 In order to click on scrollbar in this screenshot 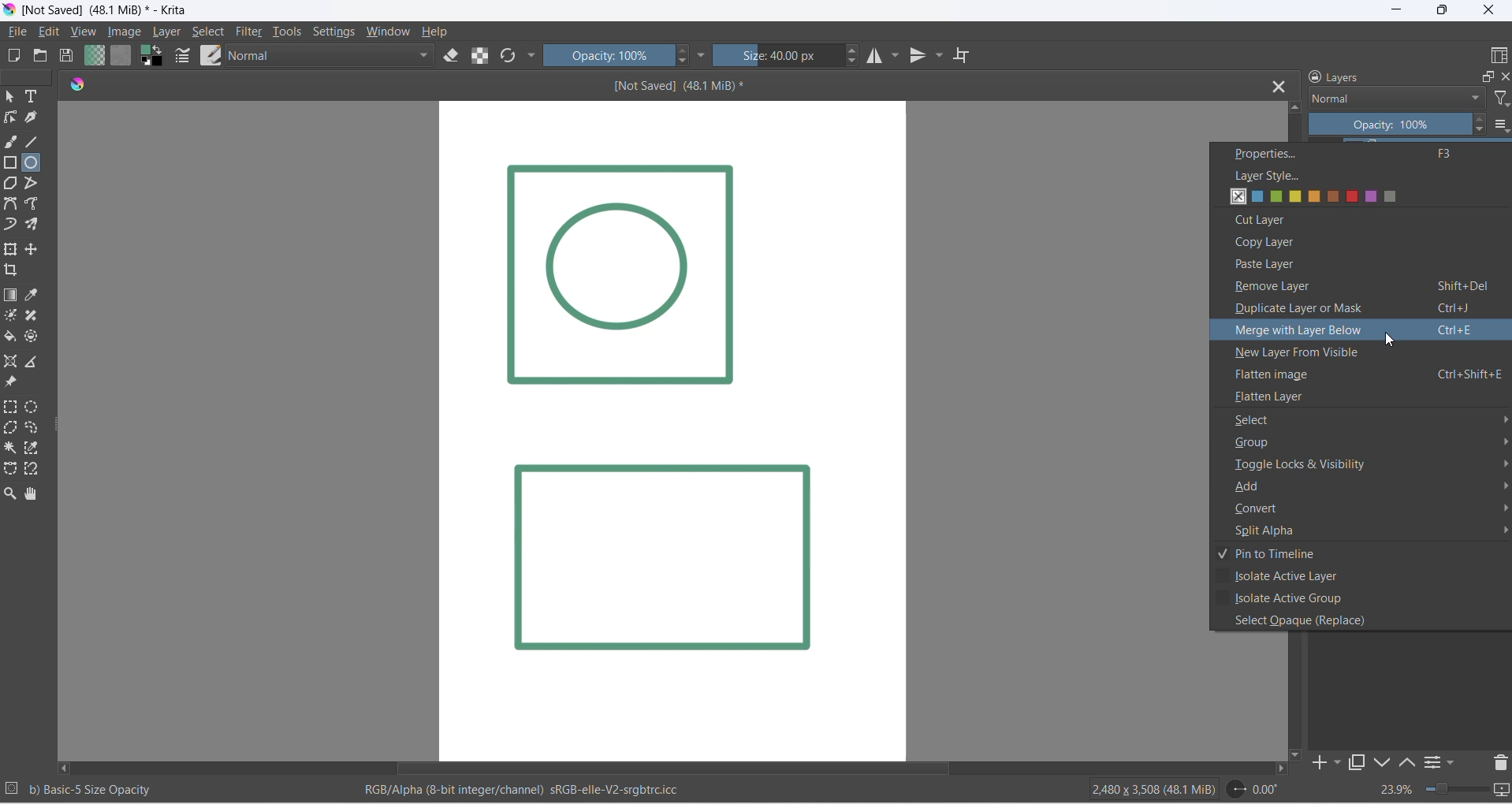, I will do `click(811, 769)`.